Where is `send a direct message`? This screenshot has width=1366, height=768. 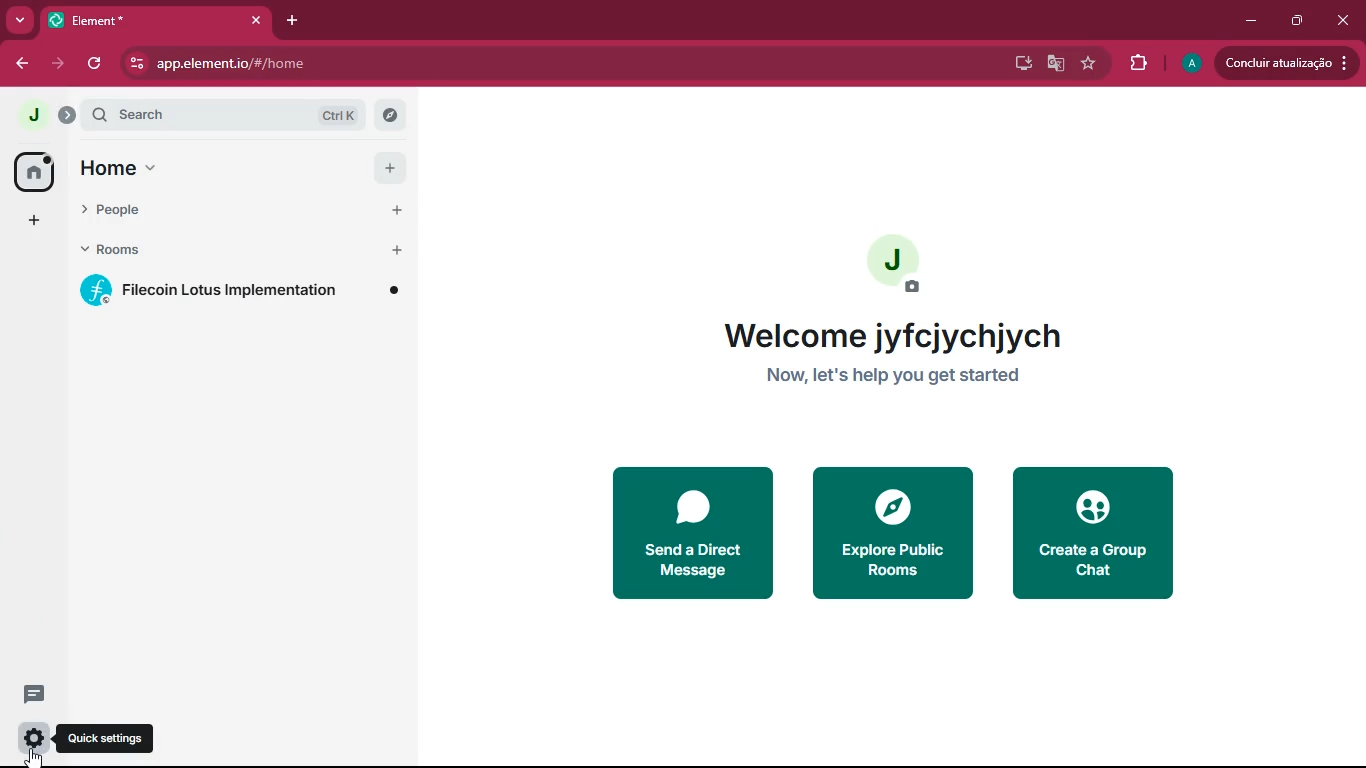
send a direct message is located at coordinates (695, 533).